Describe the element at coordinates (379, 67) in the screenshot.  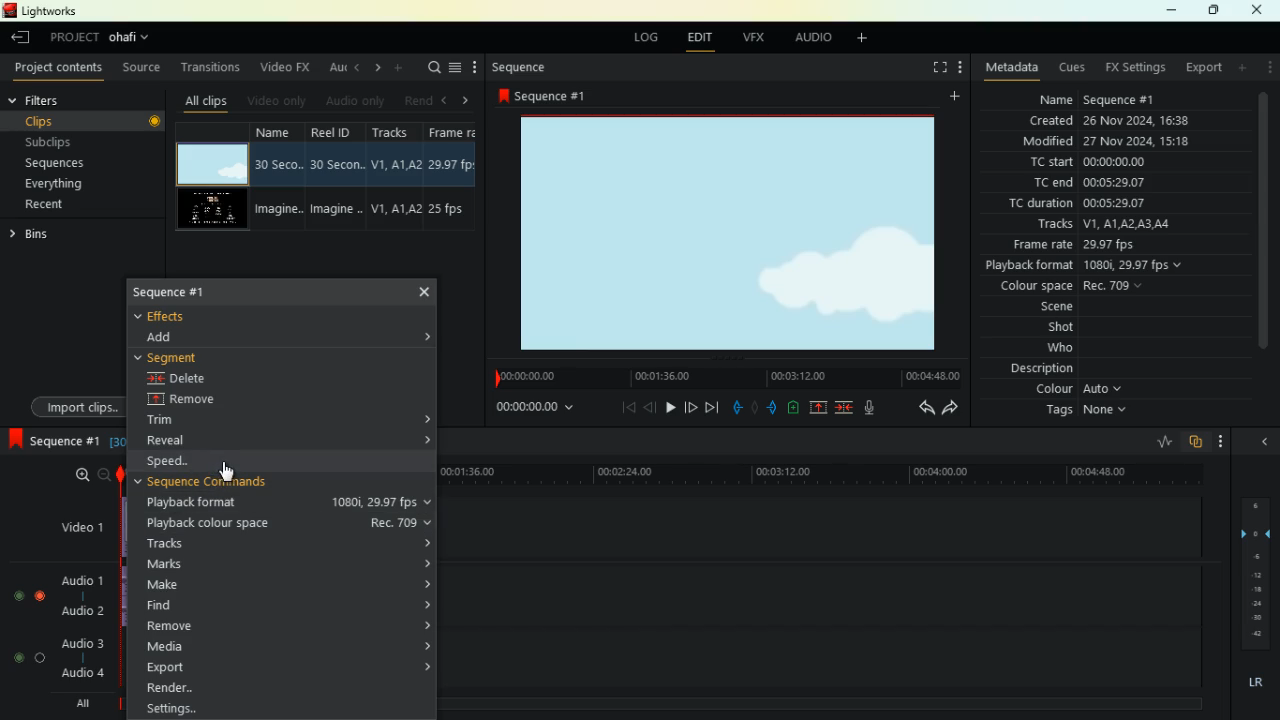
I see `right` at that location.